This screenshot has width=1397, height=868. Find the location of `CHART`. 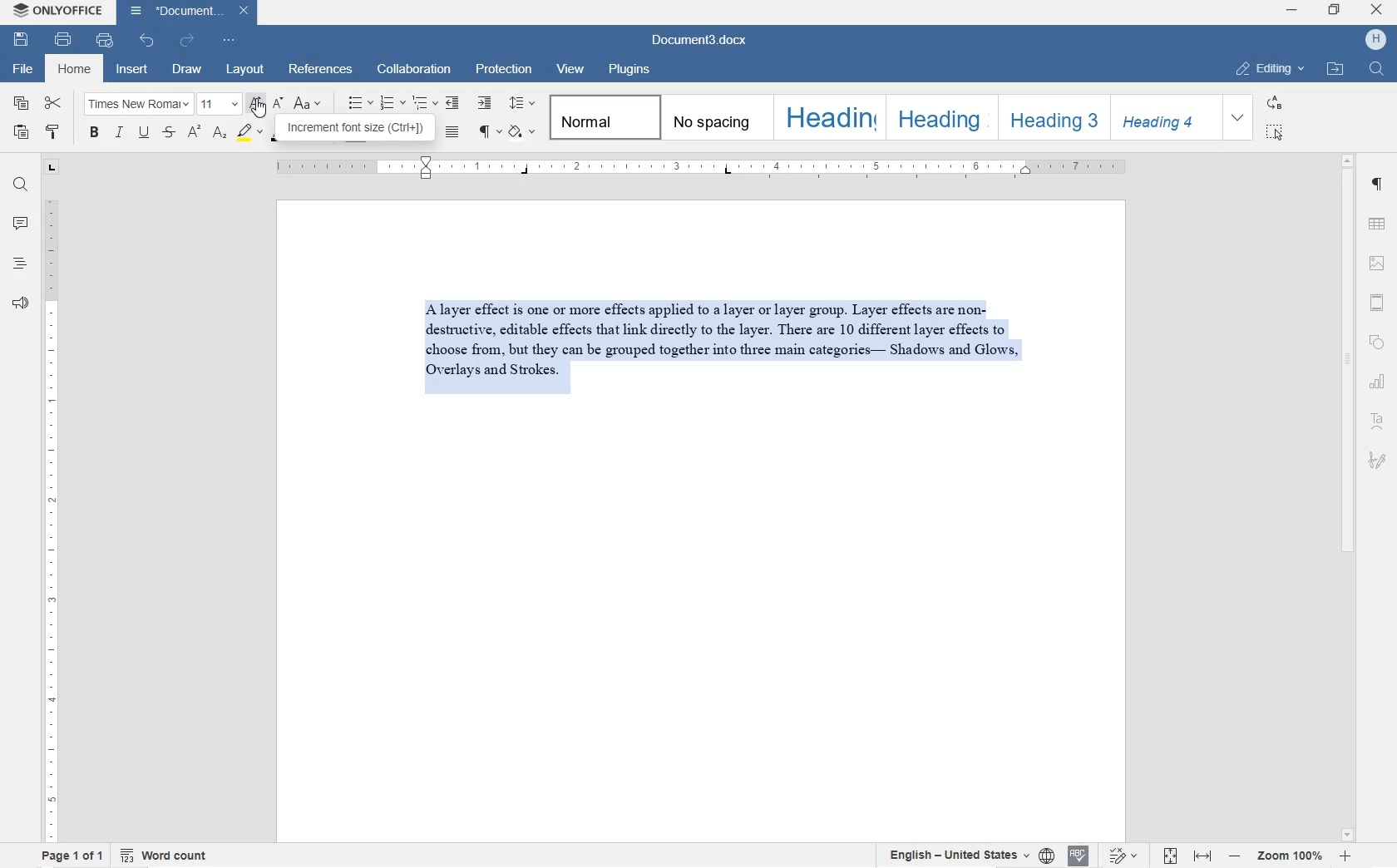

CHART is located at coordinates (1377, 379).